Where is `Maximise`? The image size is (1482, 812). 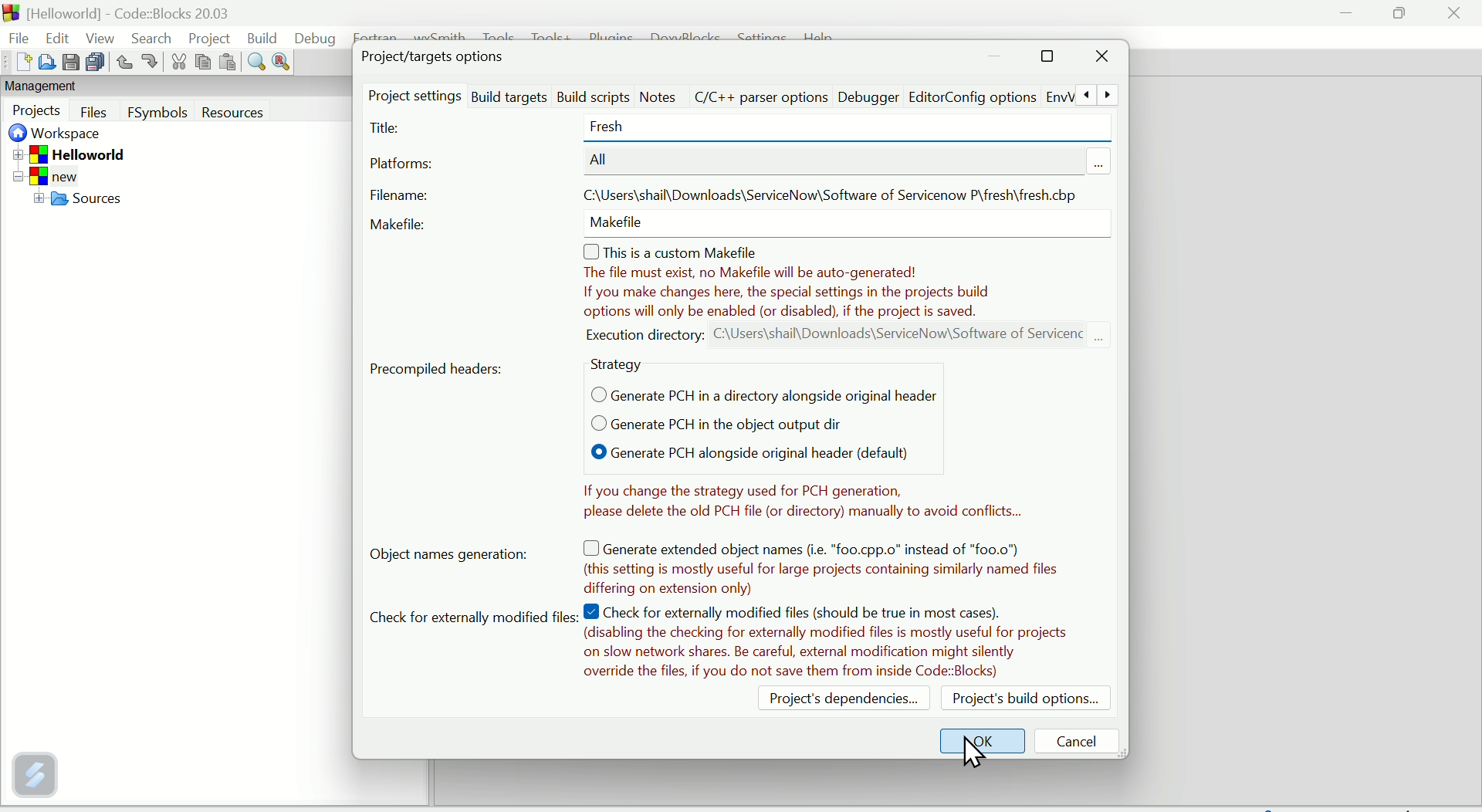 Maximise is located at coordinates (1402, 14).